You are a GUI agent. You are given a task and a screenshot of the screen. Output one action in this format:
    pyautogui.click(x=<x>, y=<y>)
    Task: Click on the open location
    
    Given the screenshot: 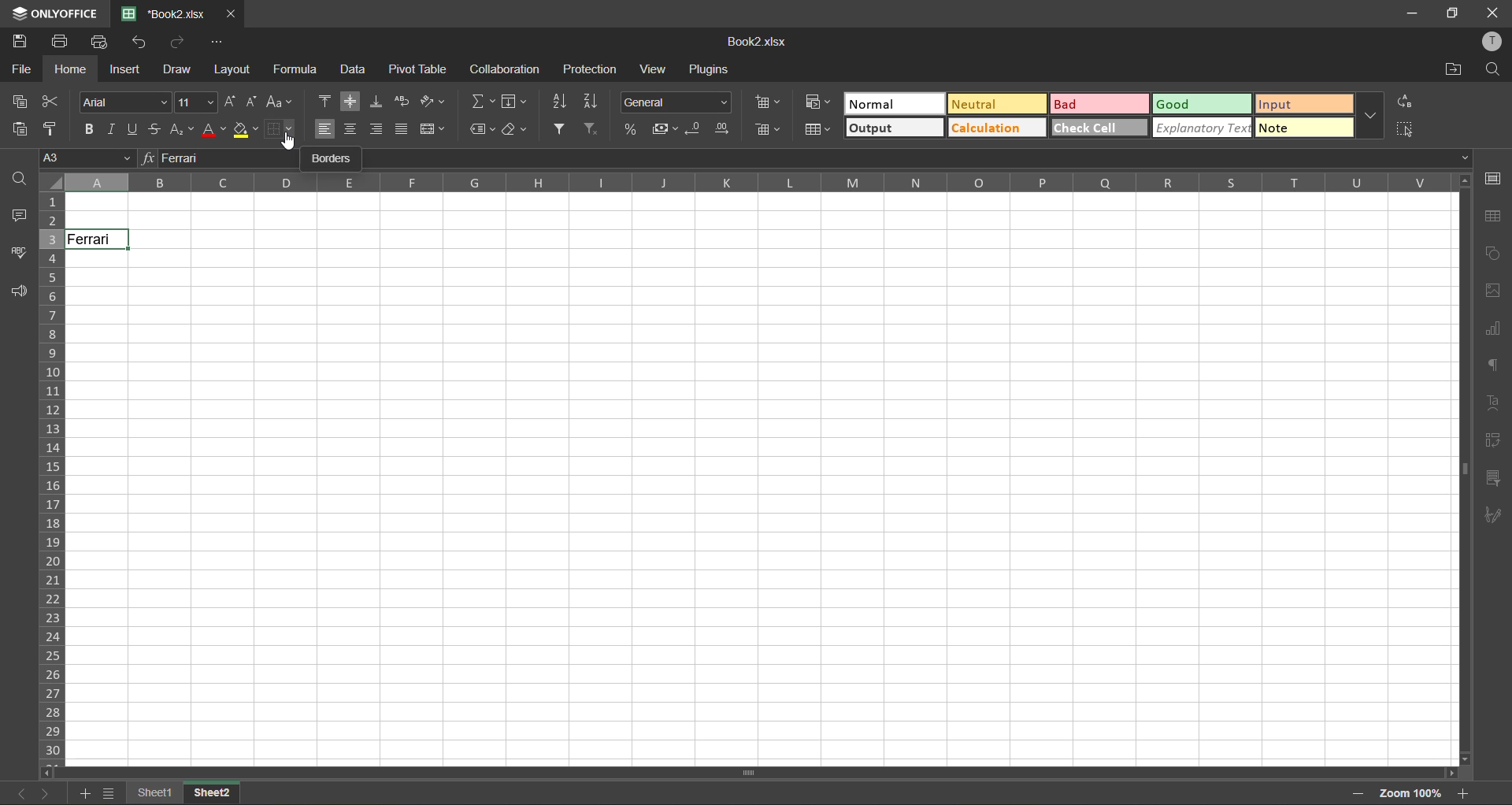 What is the action you would take?
    pyautogui.click(x=1455, y=69)
    